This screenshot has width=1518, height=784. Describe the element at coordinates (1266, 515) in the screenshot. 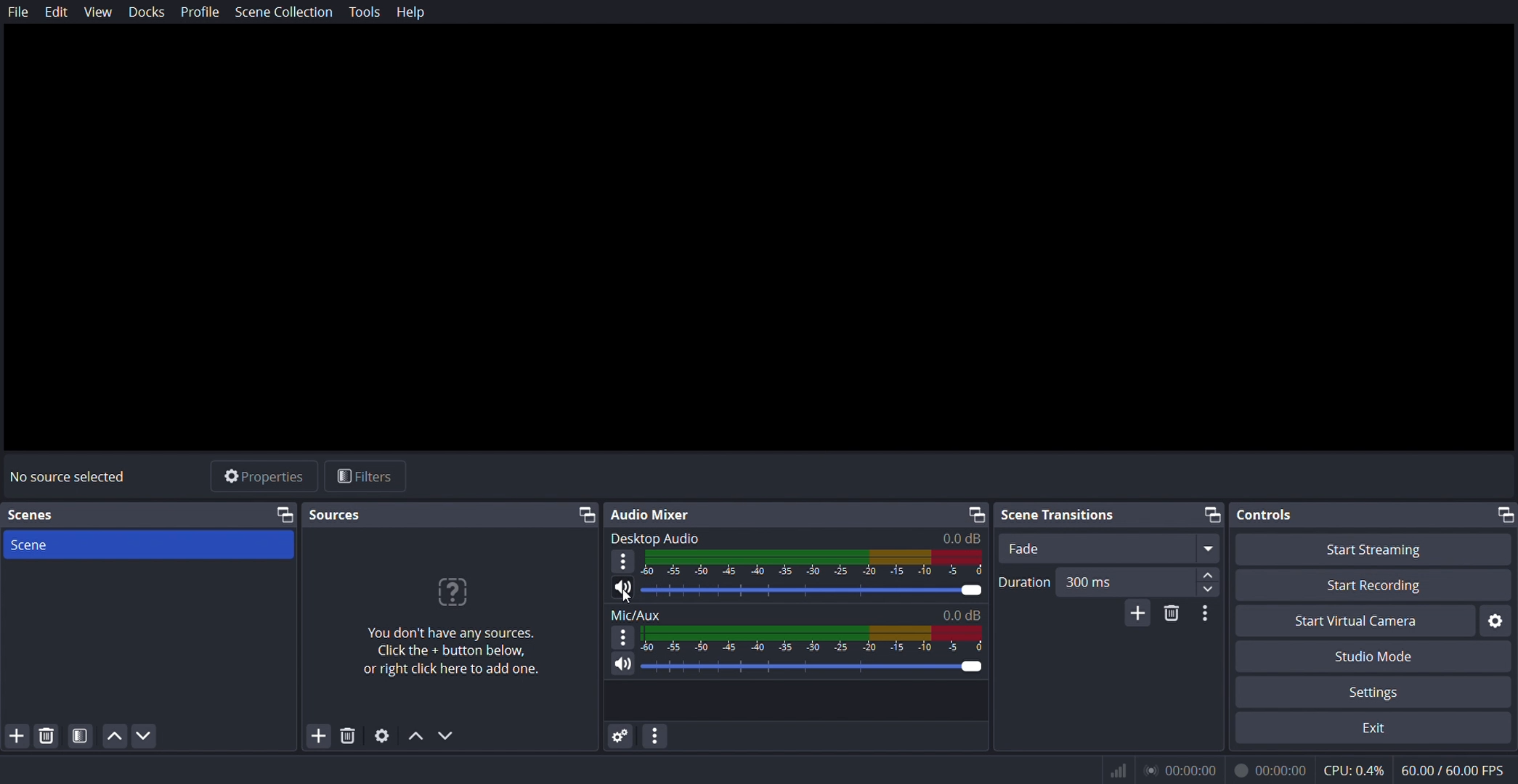

I see `controls` at that location.